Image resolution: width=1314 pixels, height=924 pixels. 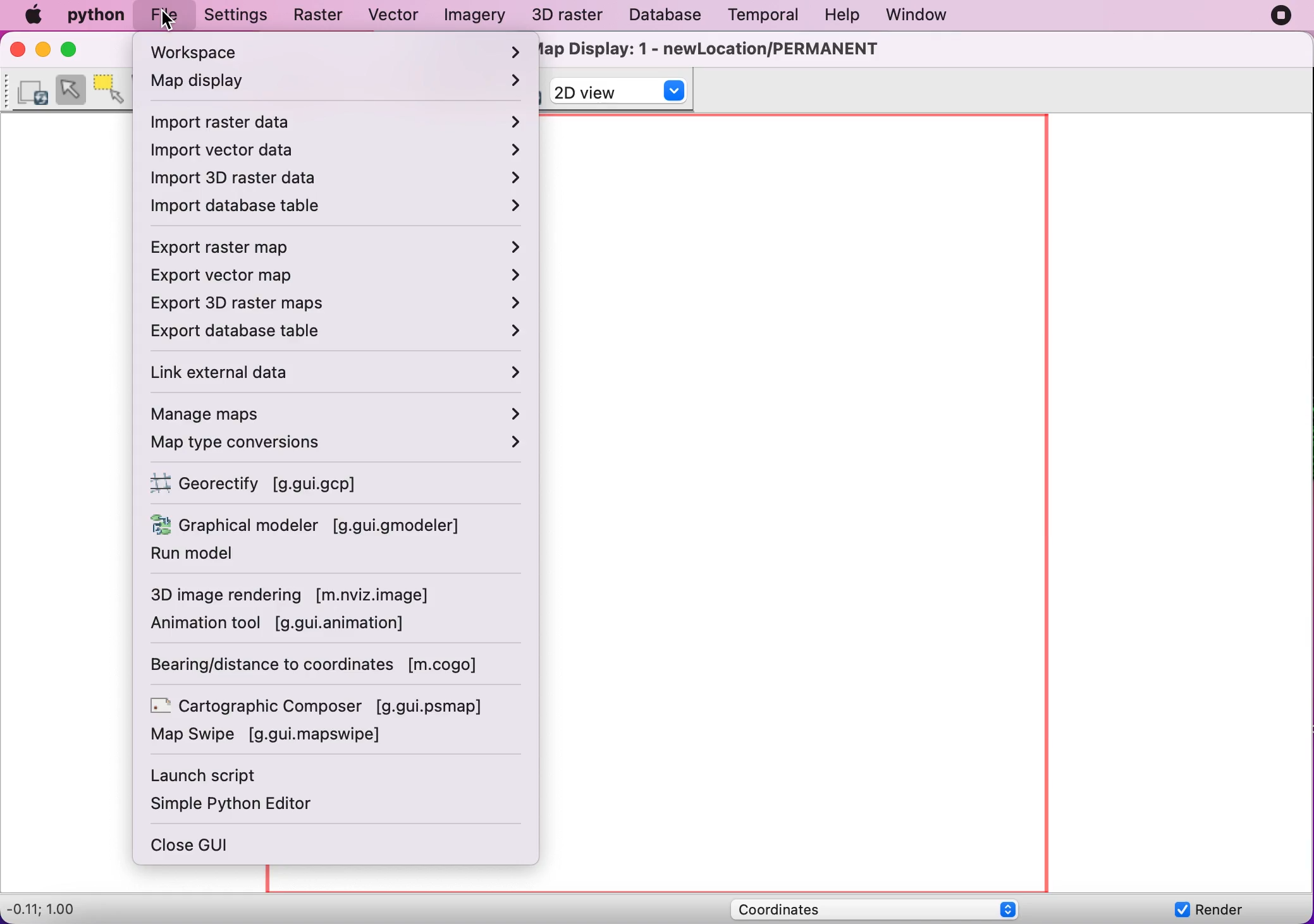 I want to click on bearing/distance to coordinates, so click(x=328, y=667).